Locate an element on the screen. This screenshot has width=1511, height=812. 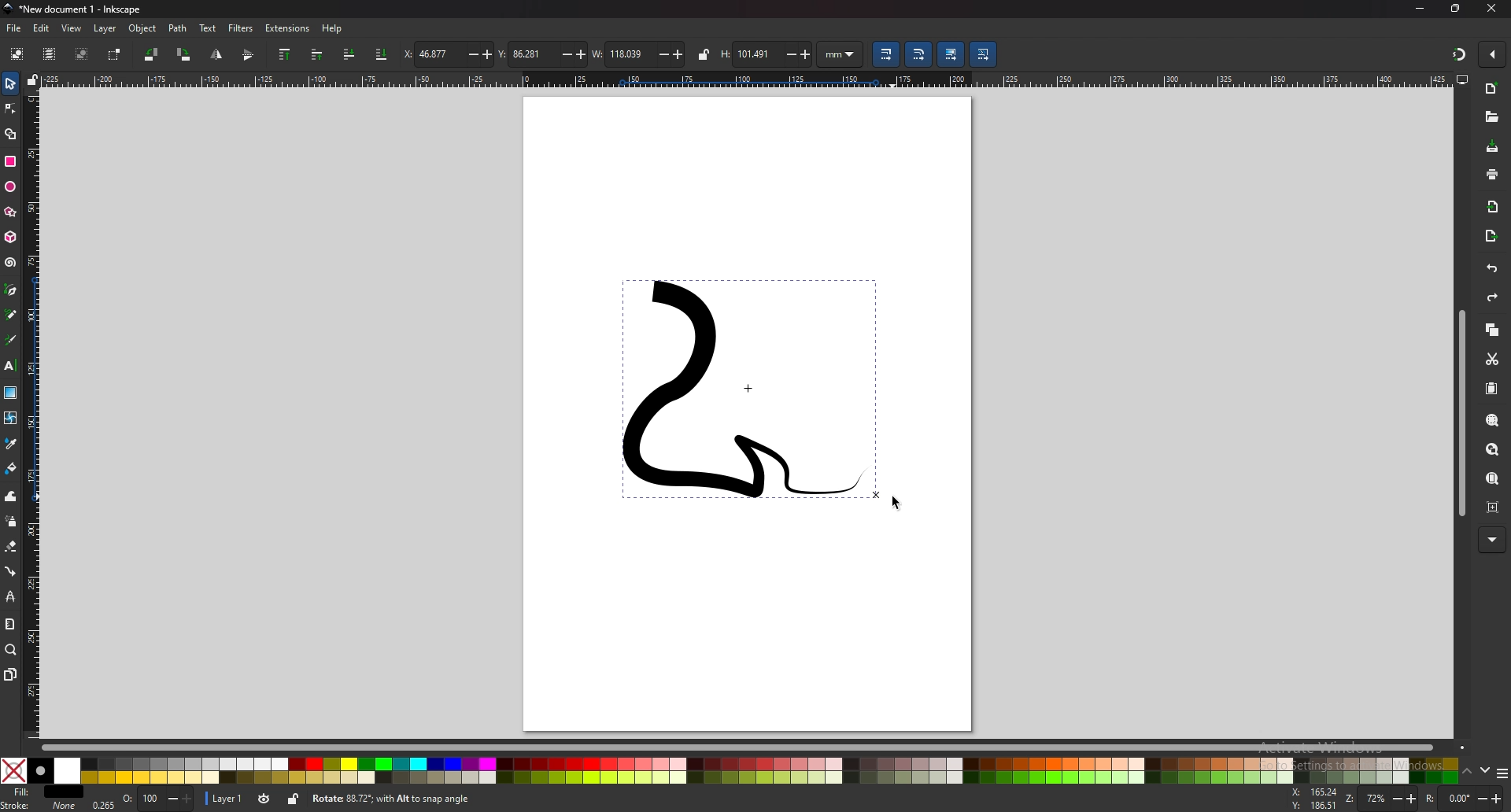
measure is located at coordinates (9, 622).